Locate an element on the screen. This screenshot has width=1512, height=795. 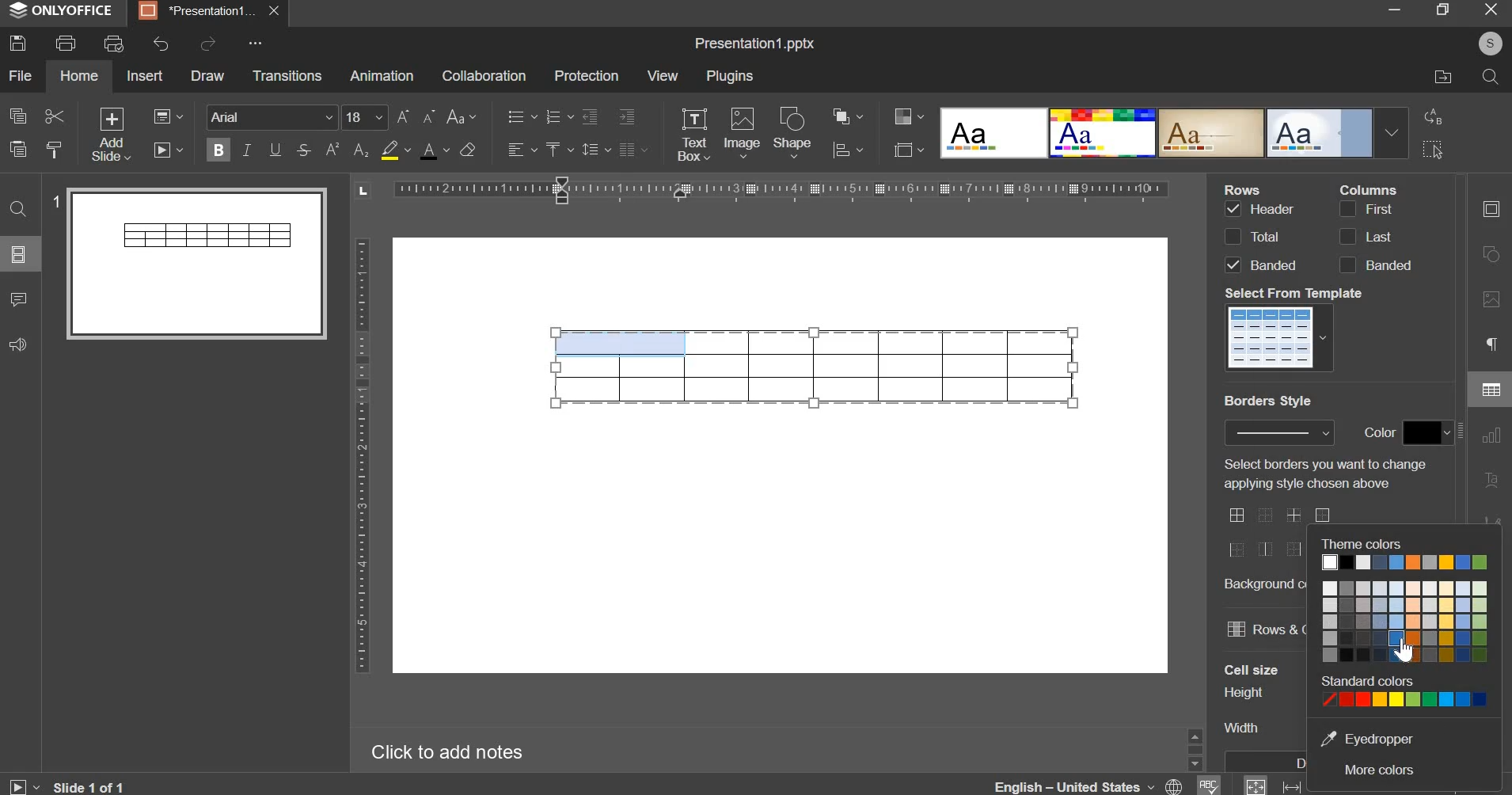
shape is located at coordinates (794, 132).